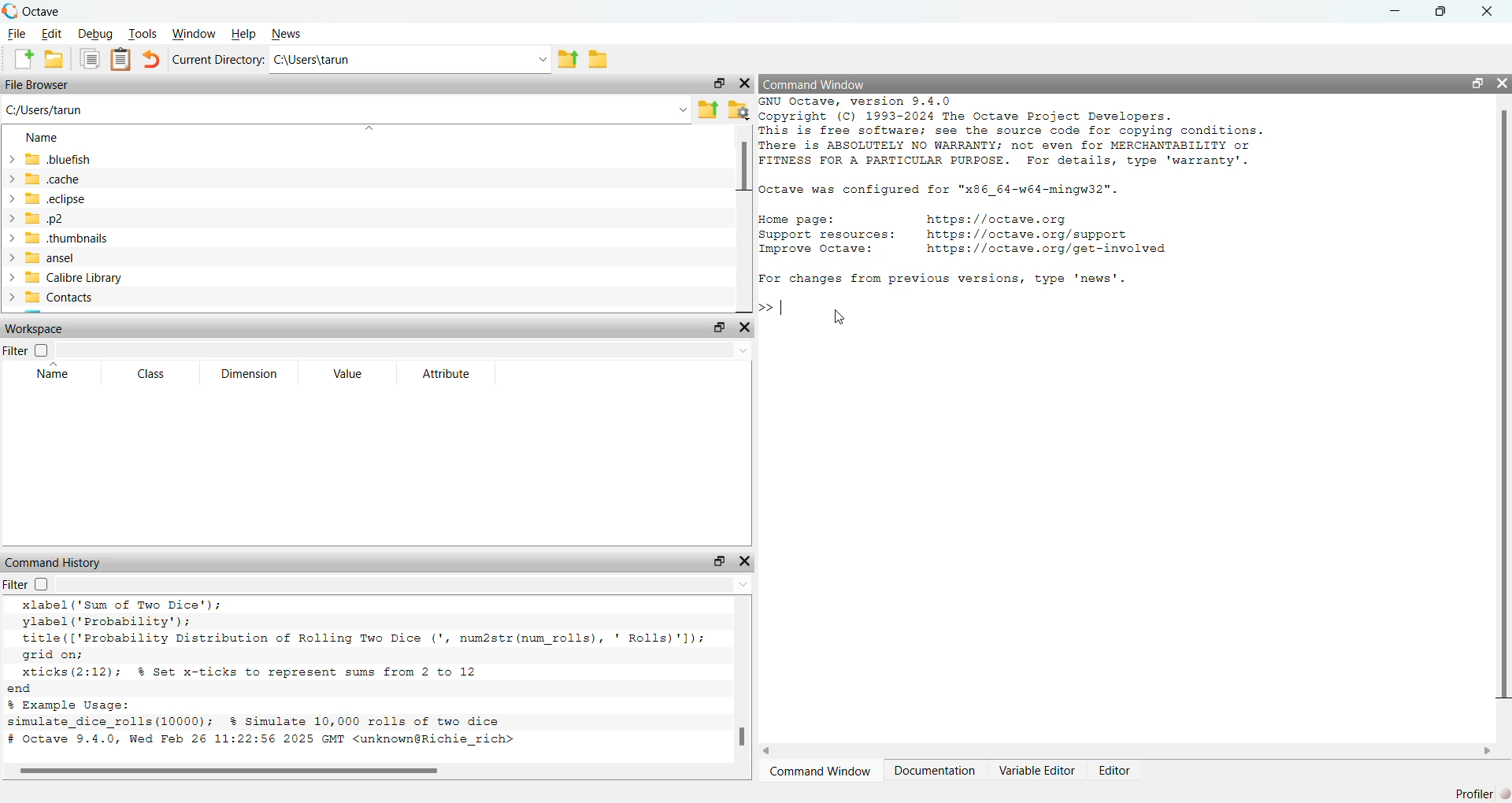 The height and width of the screenshot is (803, 1512). What do you see at coordinates (89, 58) in the screenshot?
I see `Copy` at bounding box center [89, 58].